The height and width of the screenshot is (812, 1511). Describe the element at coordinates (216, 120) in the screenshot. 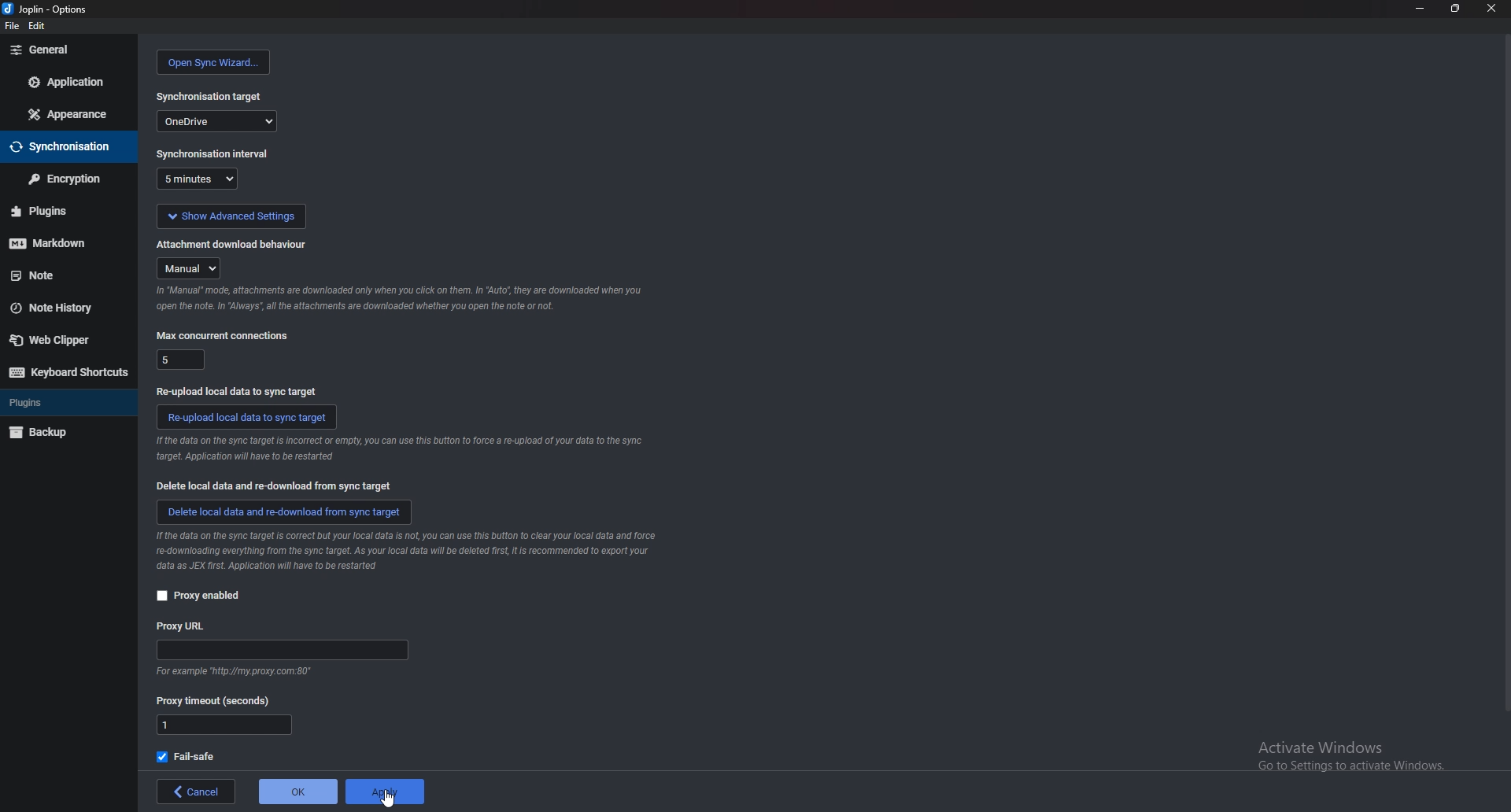

I see `one drive` at that location.